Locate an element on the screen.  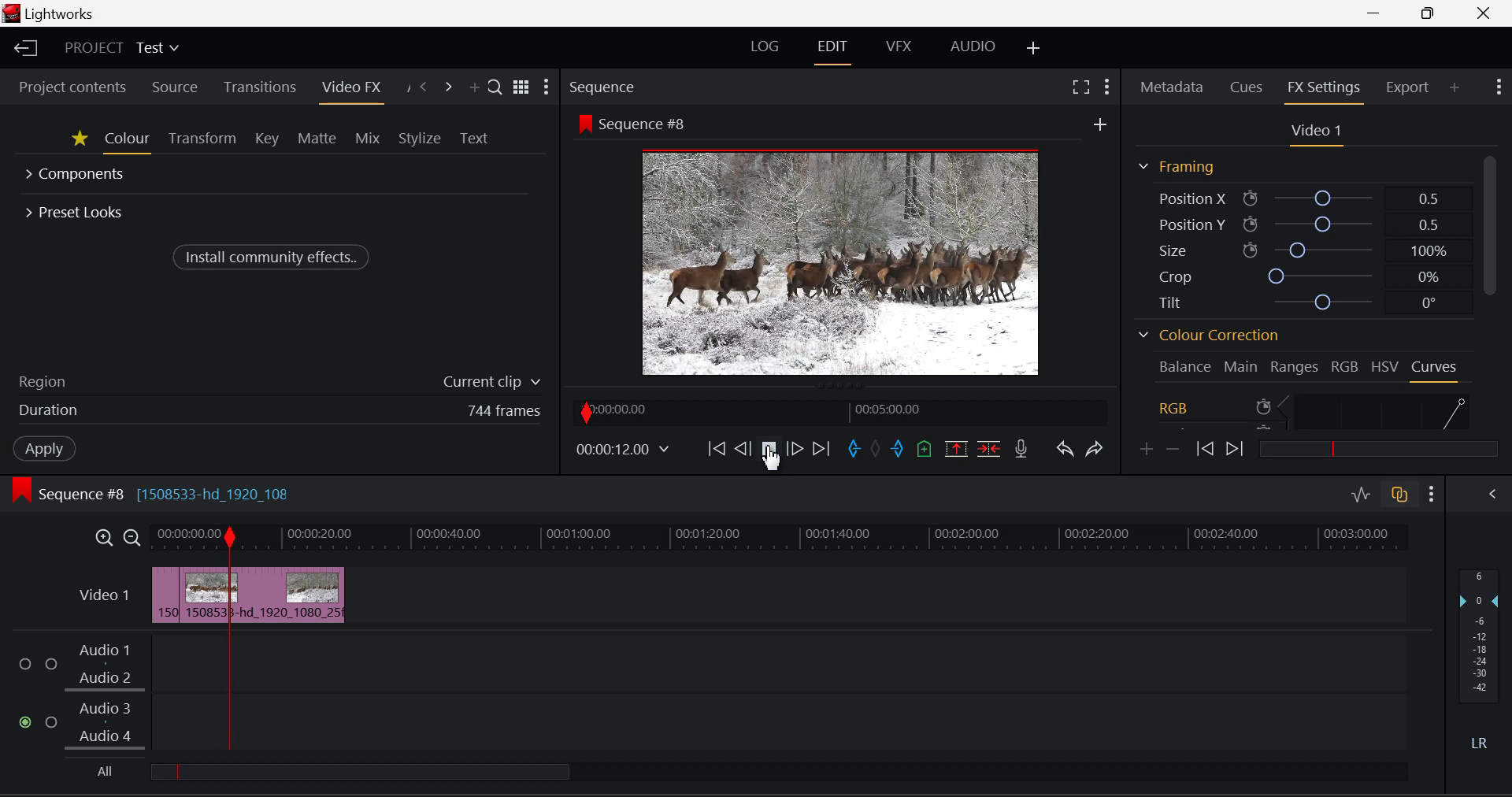
Project Title is located at coordinates (121, 49).